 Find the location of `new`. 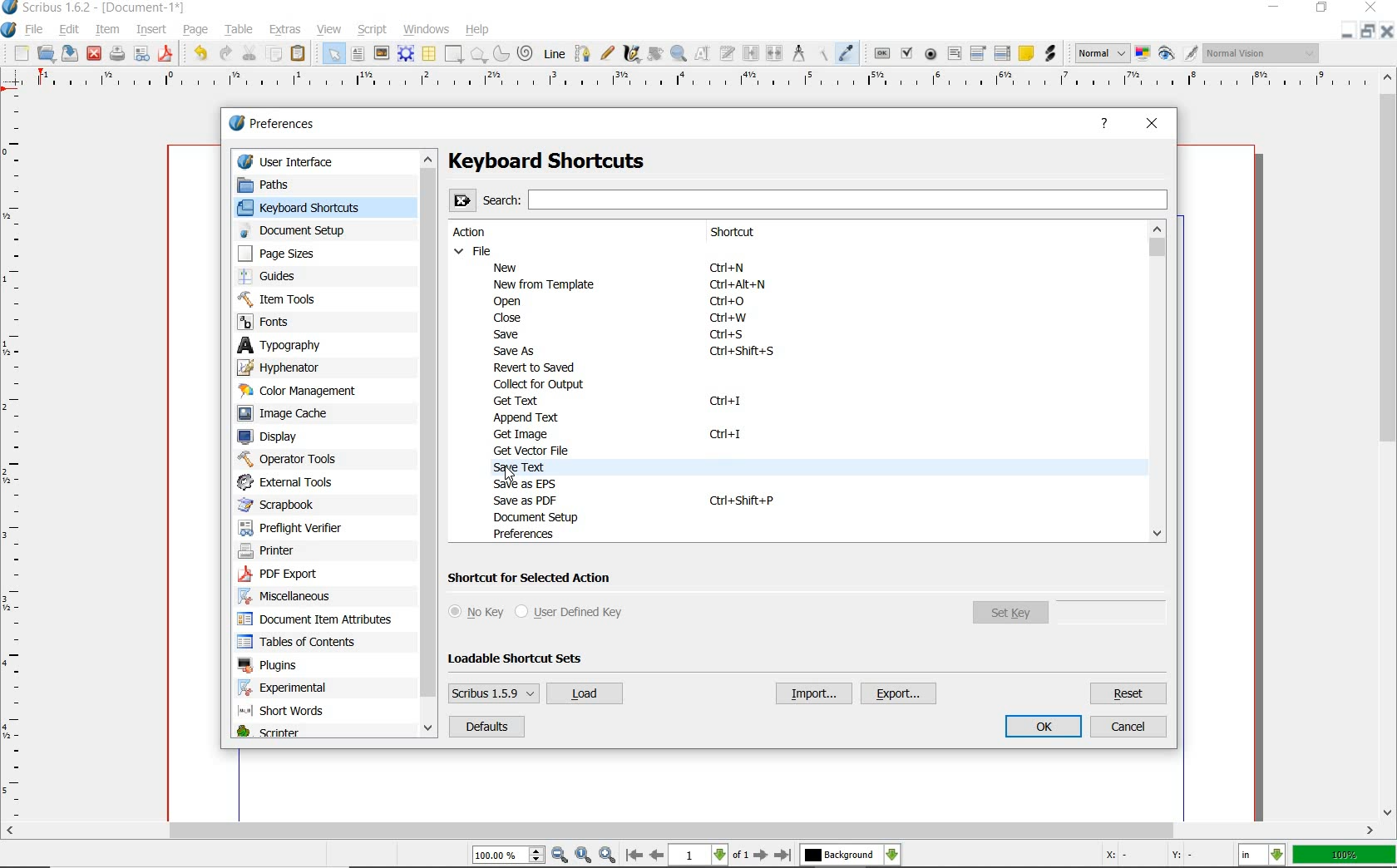

new is located at coordinates (21, 54).